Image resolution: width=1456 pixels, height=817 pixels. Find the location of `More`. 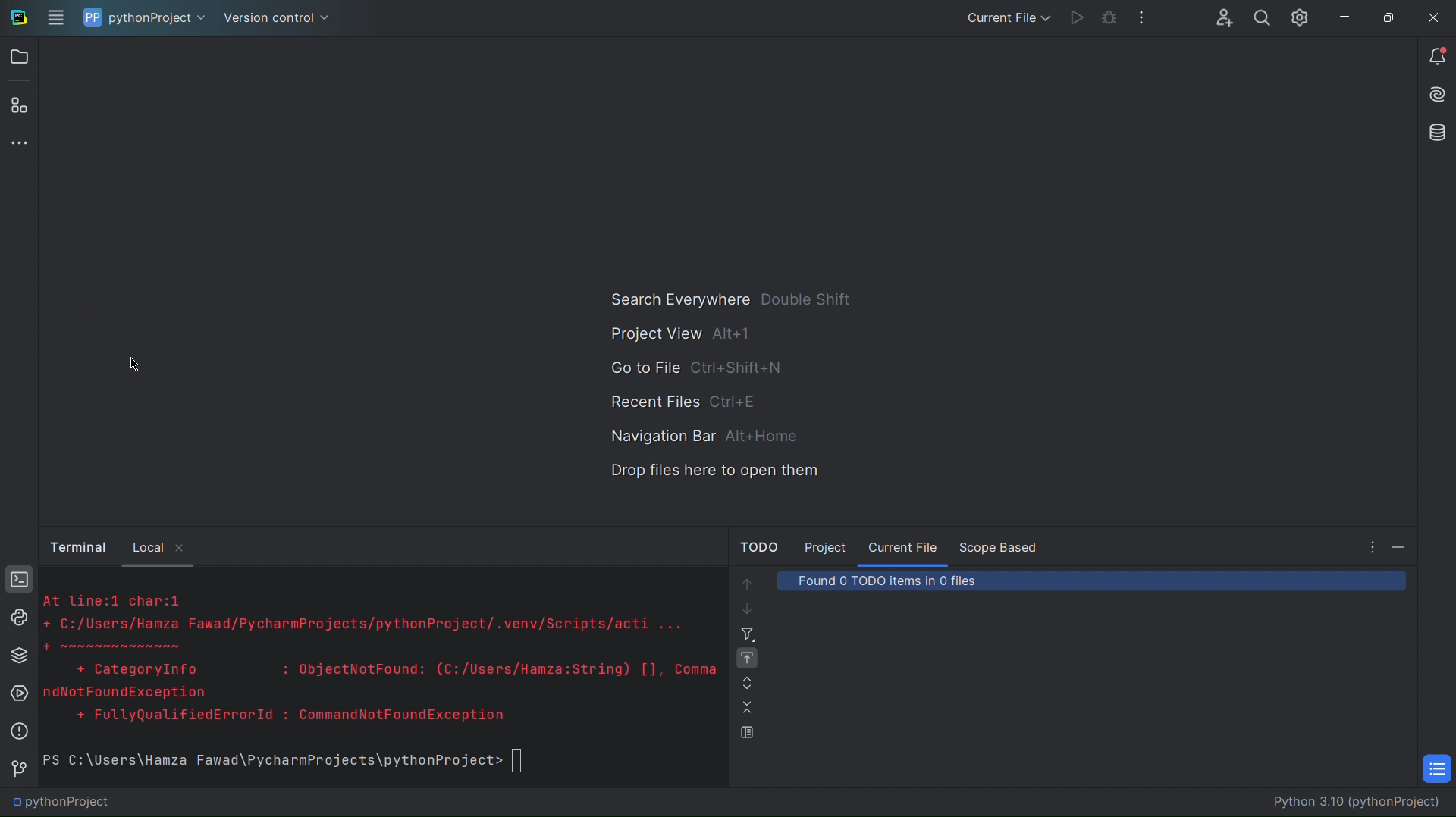

More is located at coordinates (1144, 17).